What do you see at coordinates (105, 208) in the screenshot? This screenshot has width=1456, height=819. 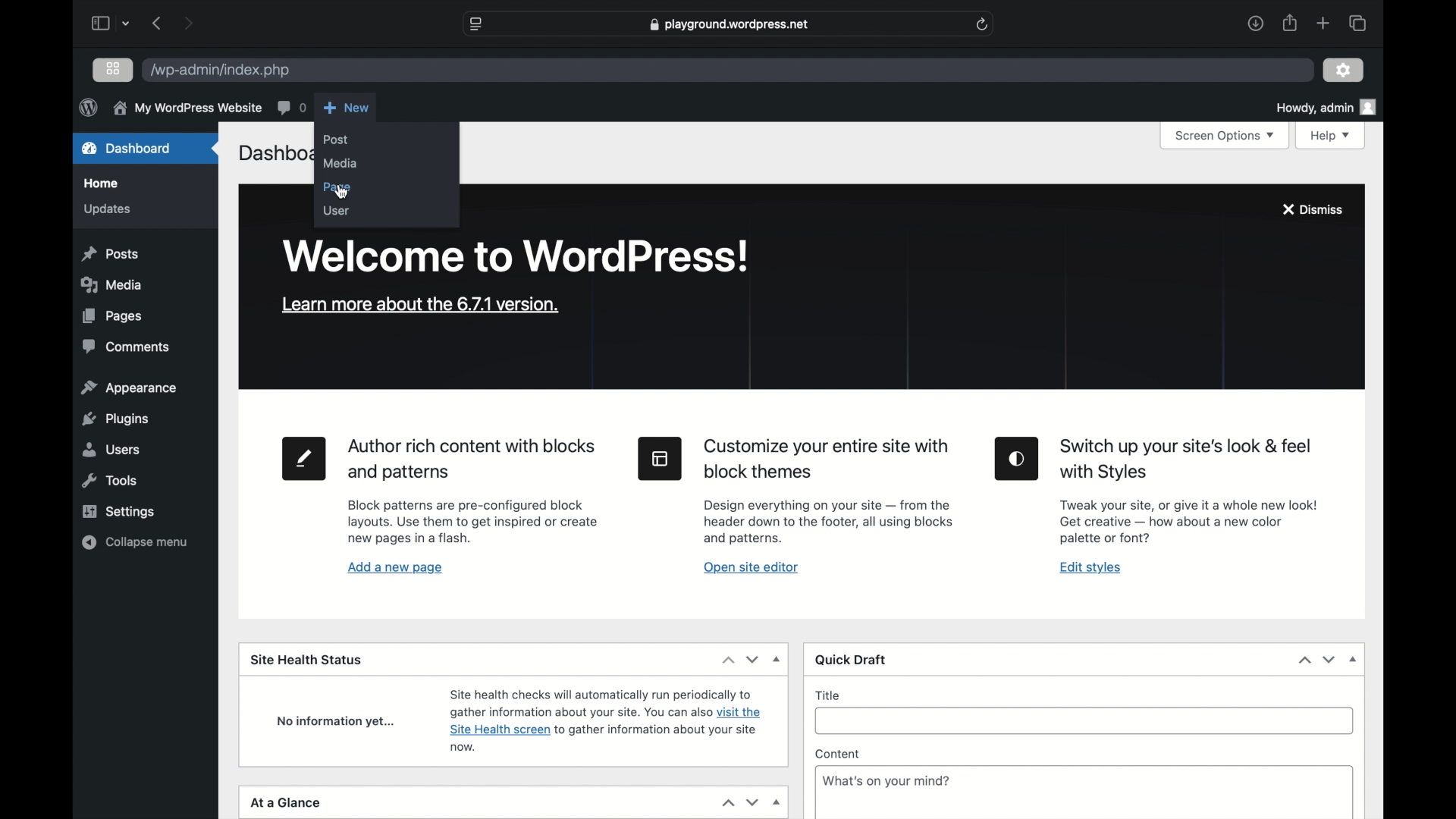 I see `updates` at bounding box center [105, 208].